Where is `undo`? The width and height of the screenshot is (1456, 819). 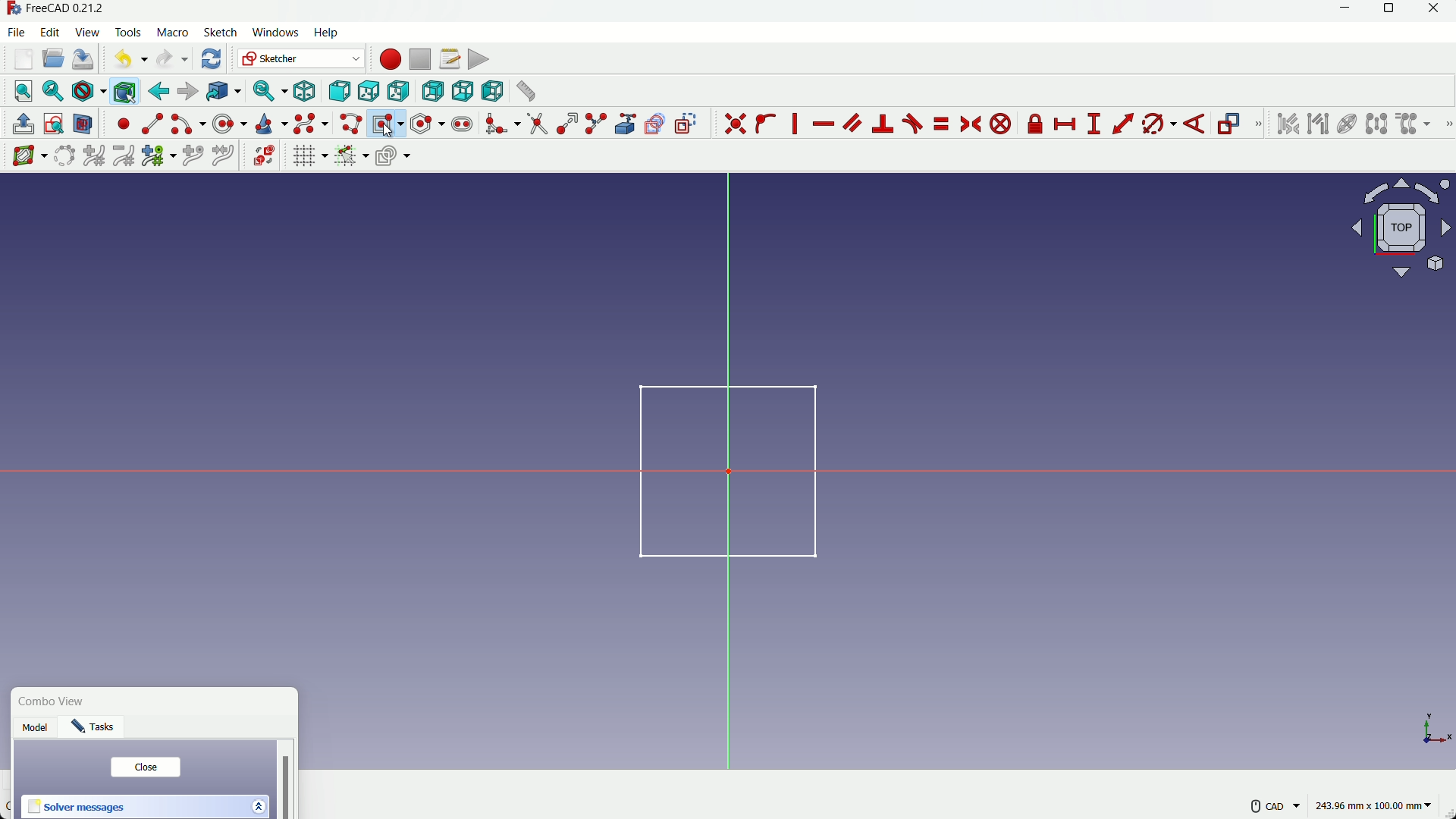
undo is located at coordinates (127, 58).